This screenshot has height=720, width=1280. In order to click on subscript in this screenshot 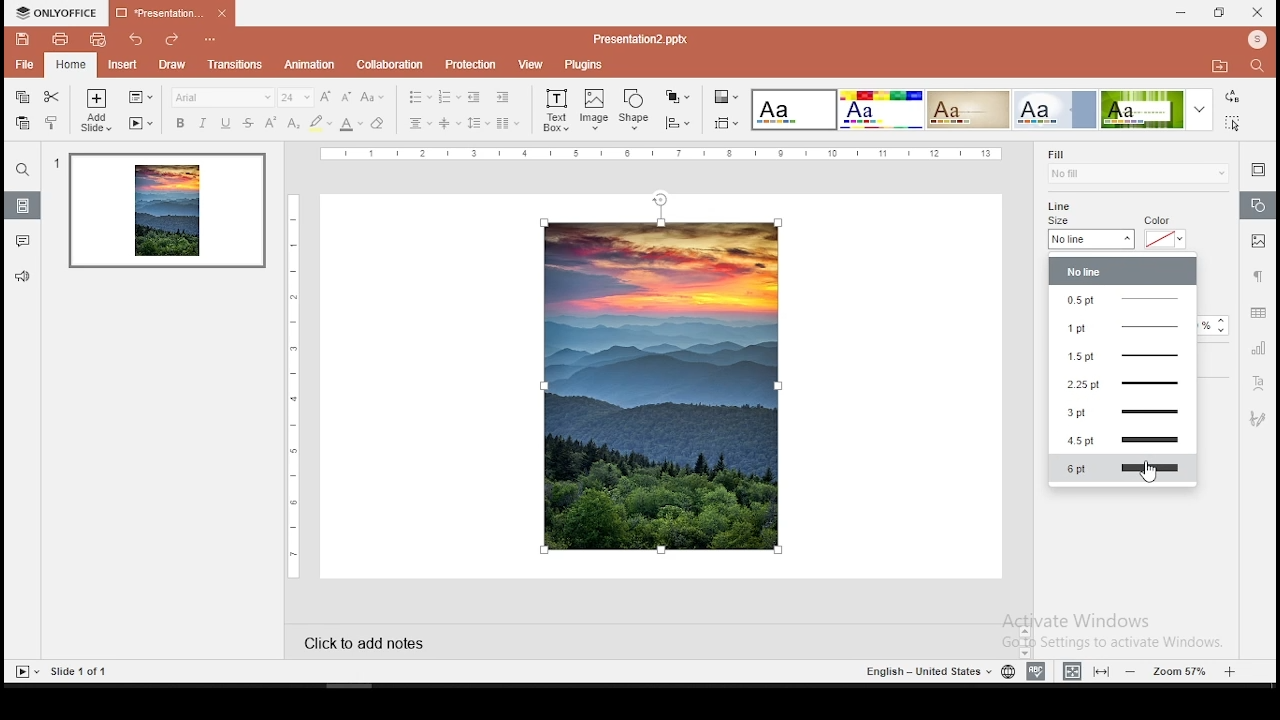, I will do `click(293, 122)`.